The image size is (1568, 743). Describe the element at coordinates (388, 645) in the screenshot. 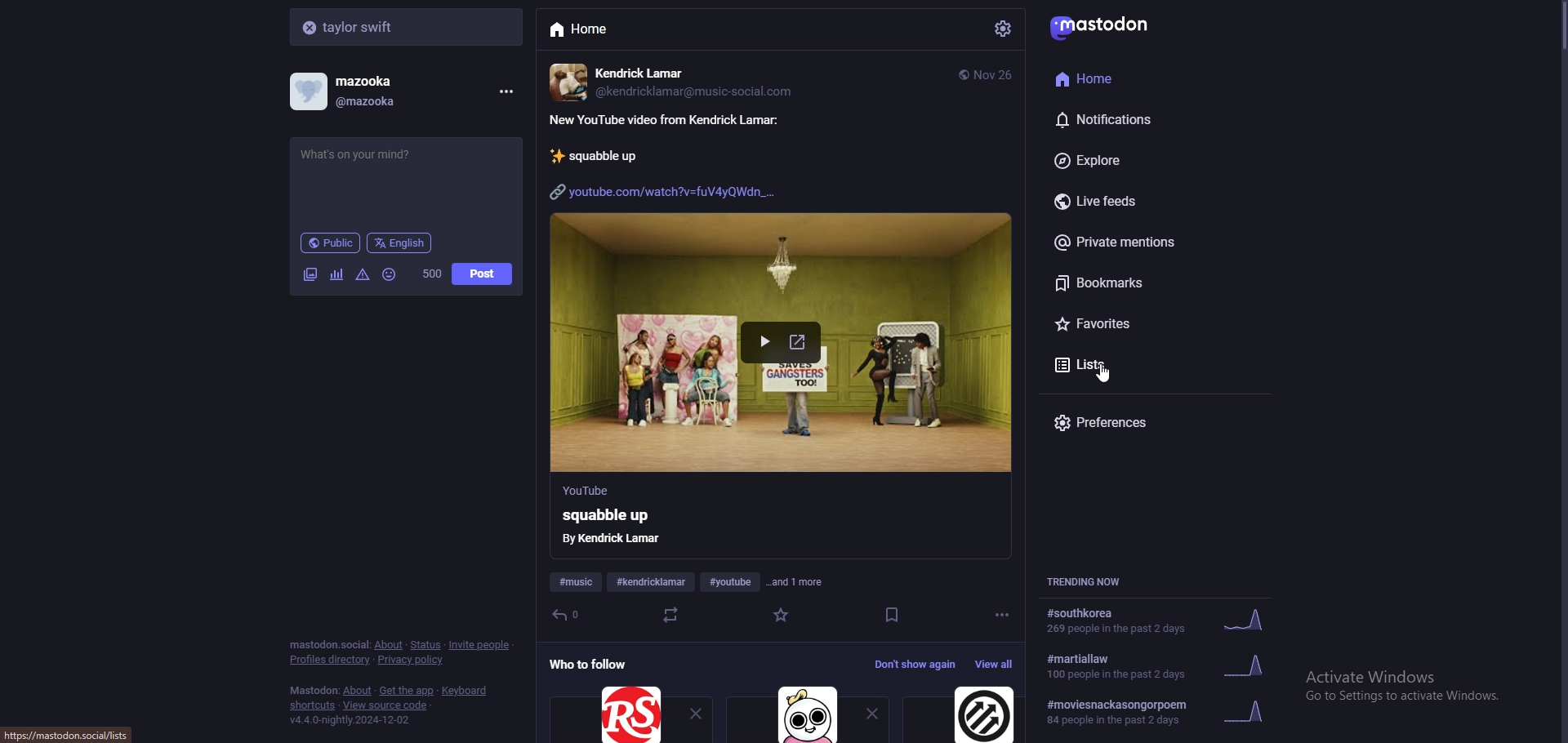

I see `about` at that location.